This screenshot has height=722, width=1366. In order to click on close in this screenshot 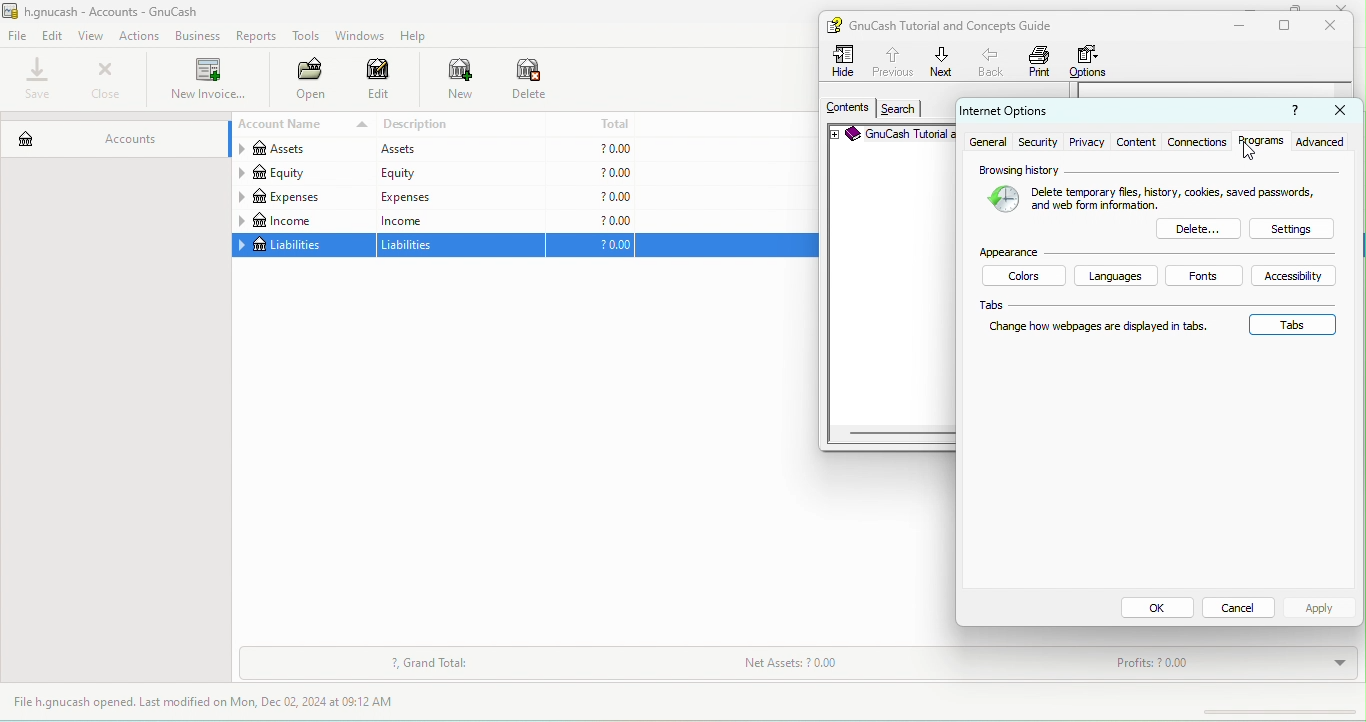, I will do `click(105, 80)`.